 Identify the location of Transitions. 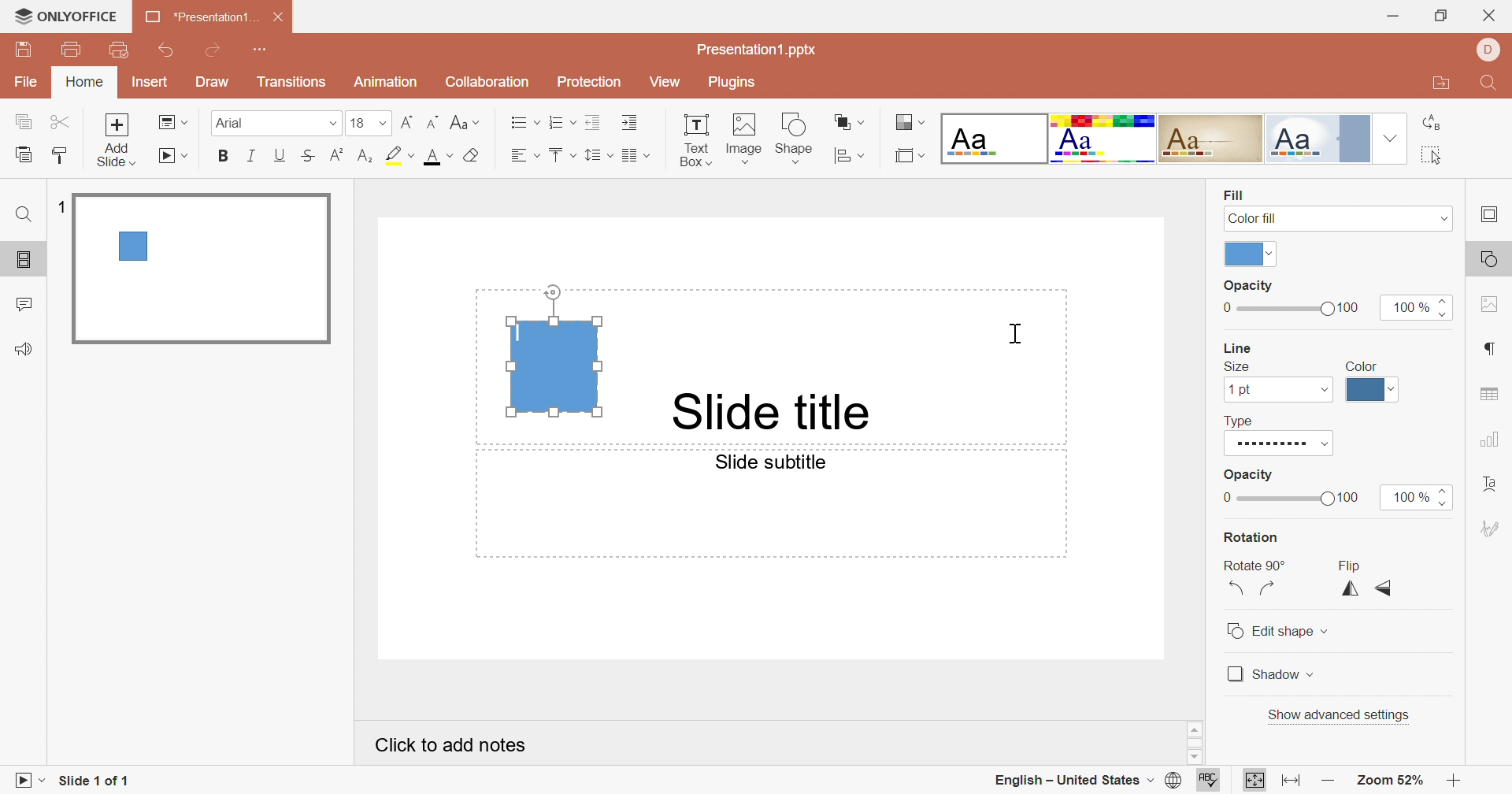
(295, 84).